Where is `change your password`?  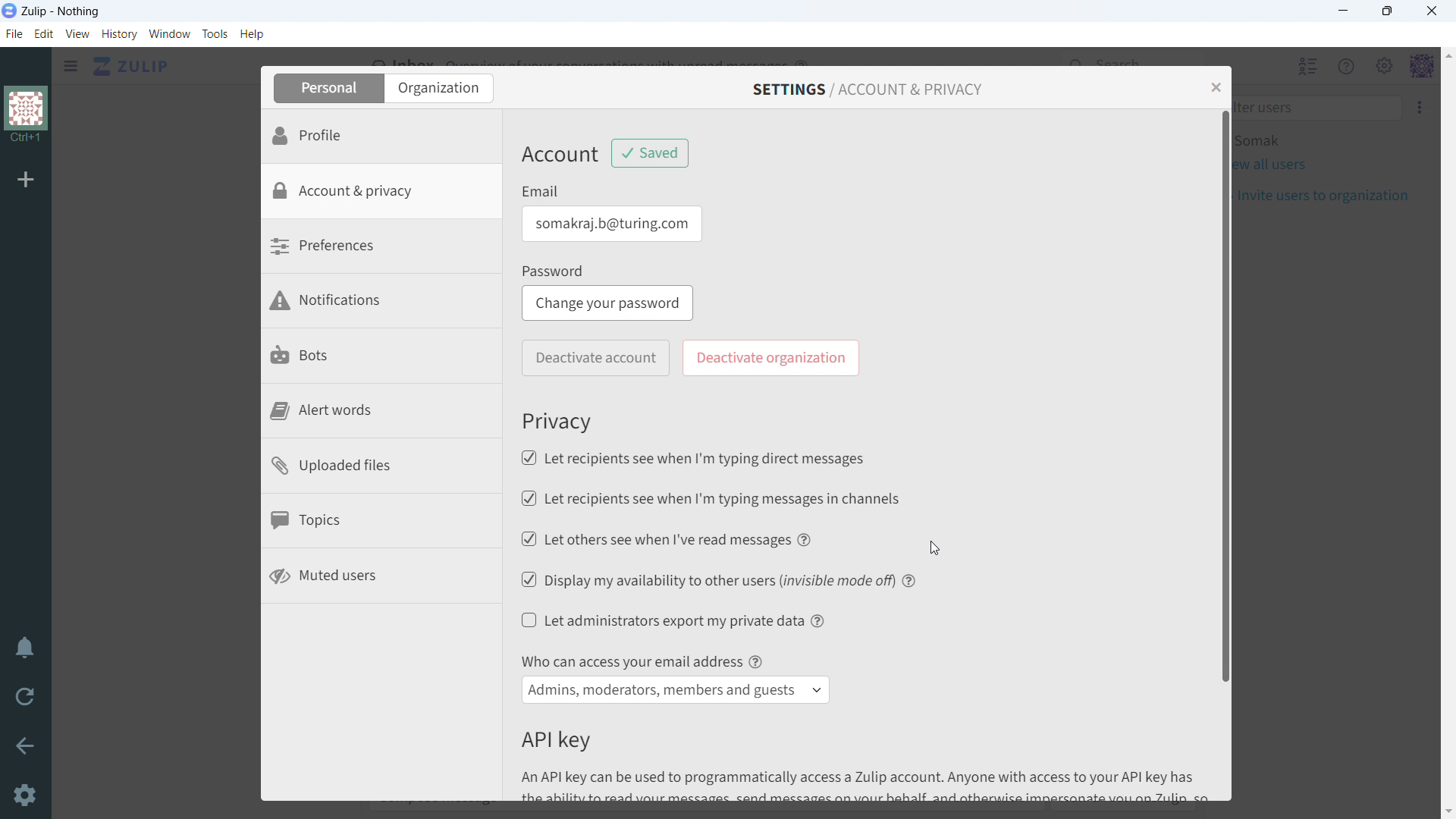
change your password is located at coordinates (610, 303).